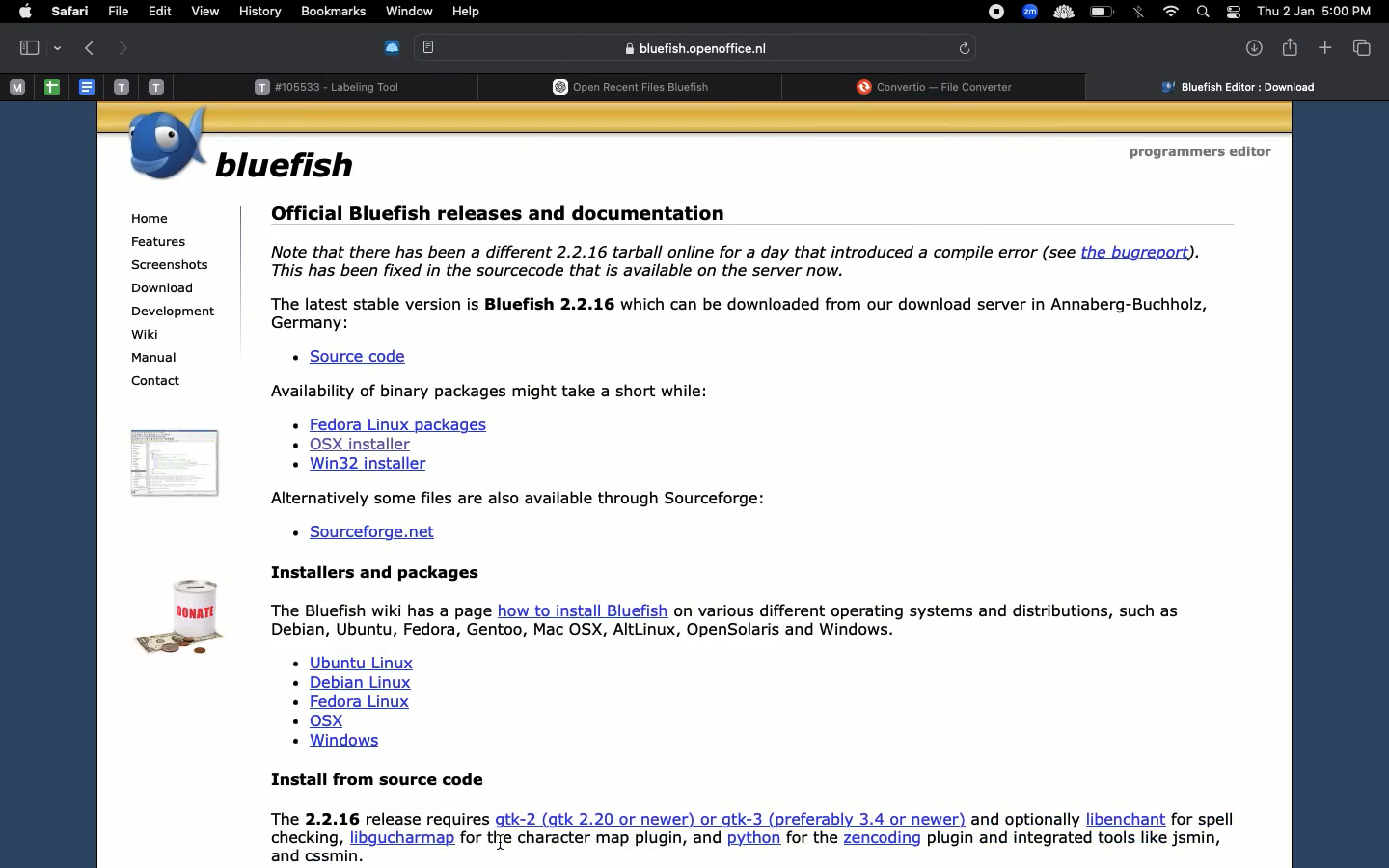 This screenshot has width=1389, height=868. Describe the element at coordinates (150, 335) in the screenshot. I see `wiki` at that location.